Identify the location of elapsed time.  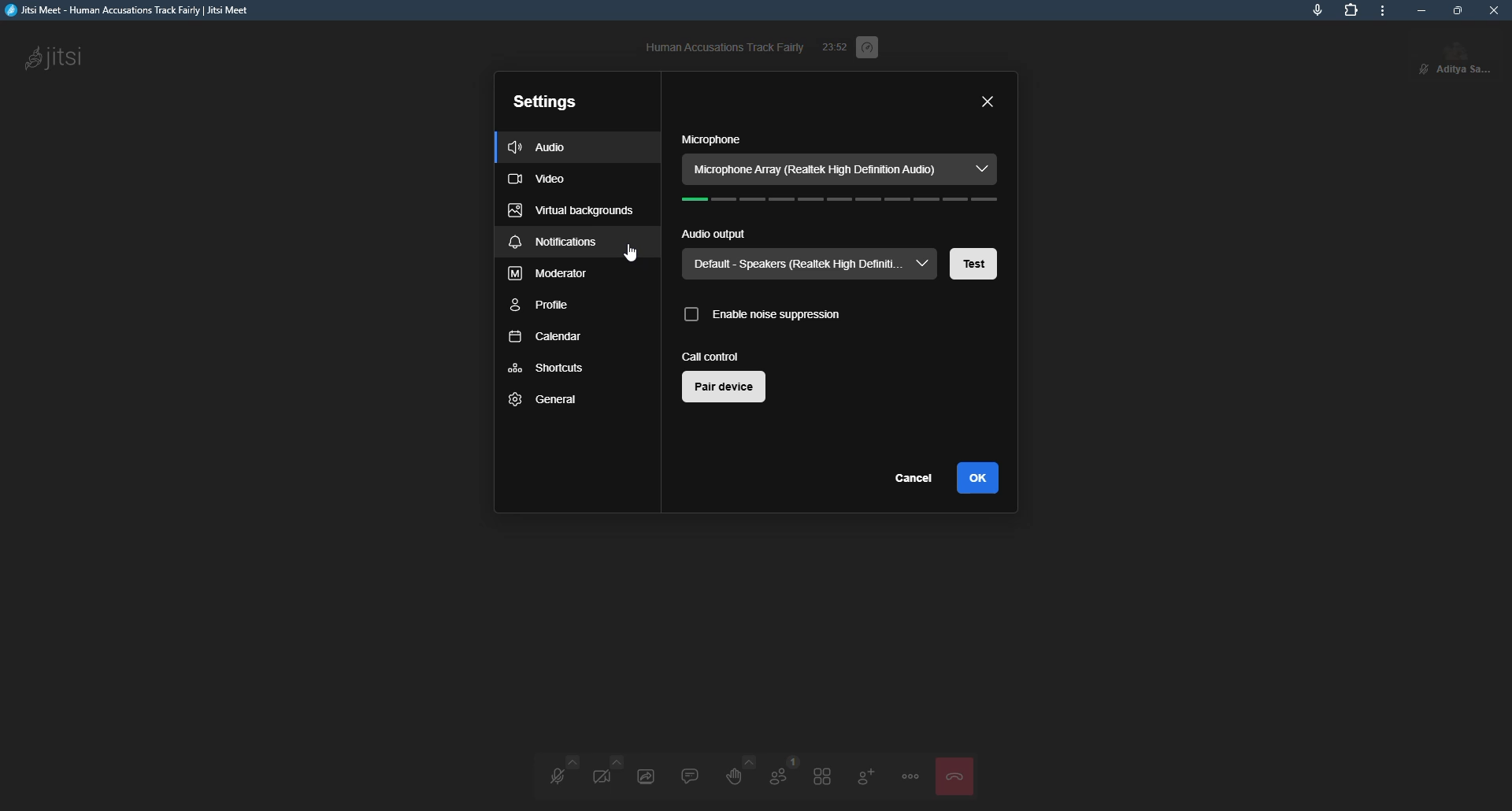
(835, 45).